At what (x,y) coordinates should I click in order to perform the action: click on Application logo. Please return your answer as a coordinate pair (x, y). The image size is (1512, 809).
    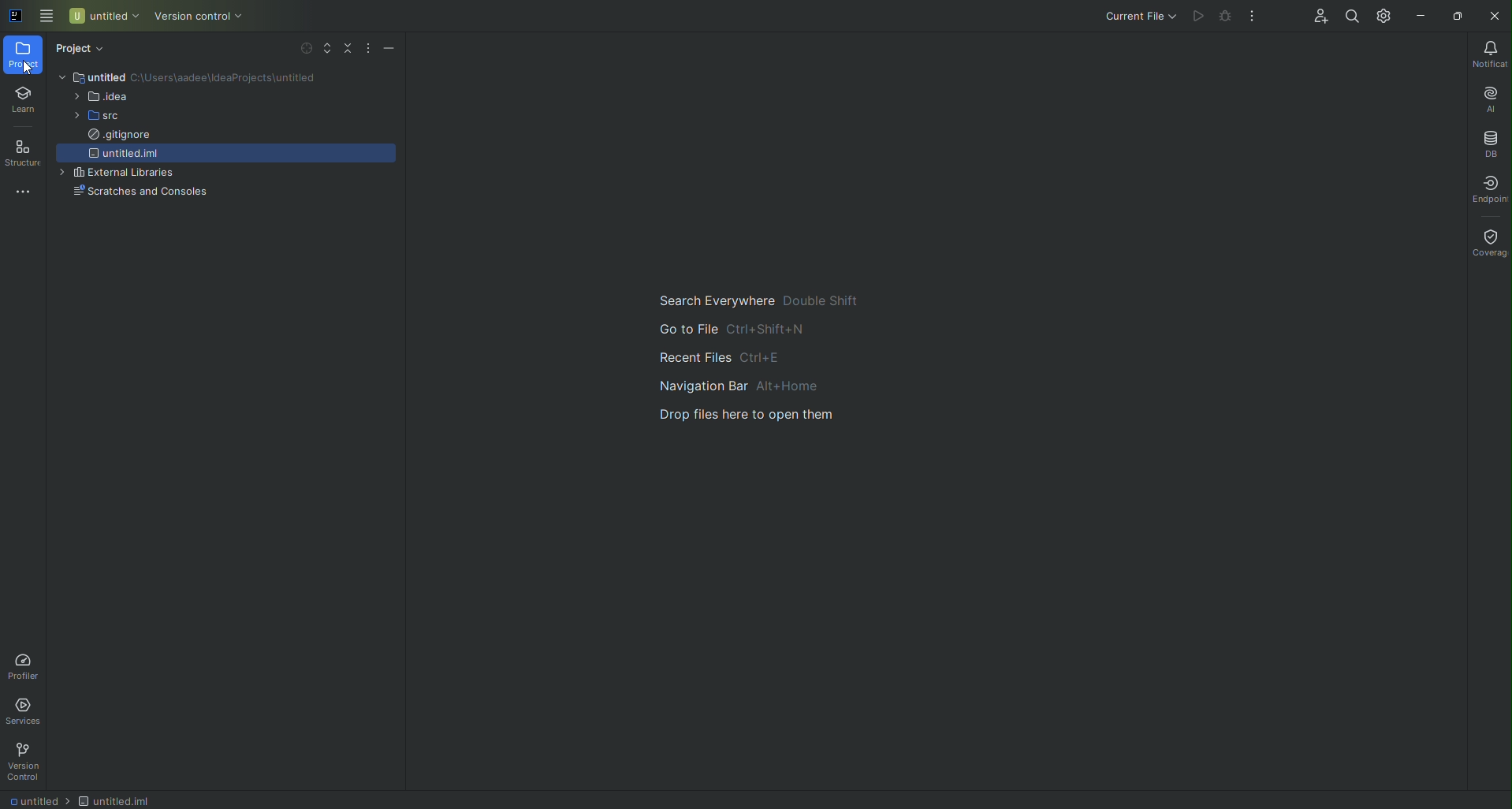
    Looking at the image, I should click on (12, 17).